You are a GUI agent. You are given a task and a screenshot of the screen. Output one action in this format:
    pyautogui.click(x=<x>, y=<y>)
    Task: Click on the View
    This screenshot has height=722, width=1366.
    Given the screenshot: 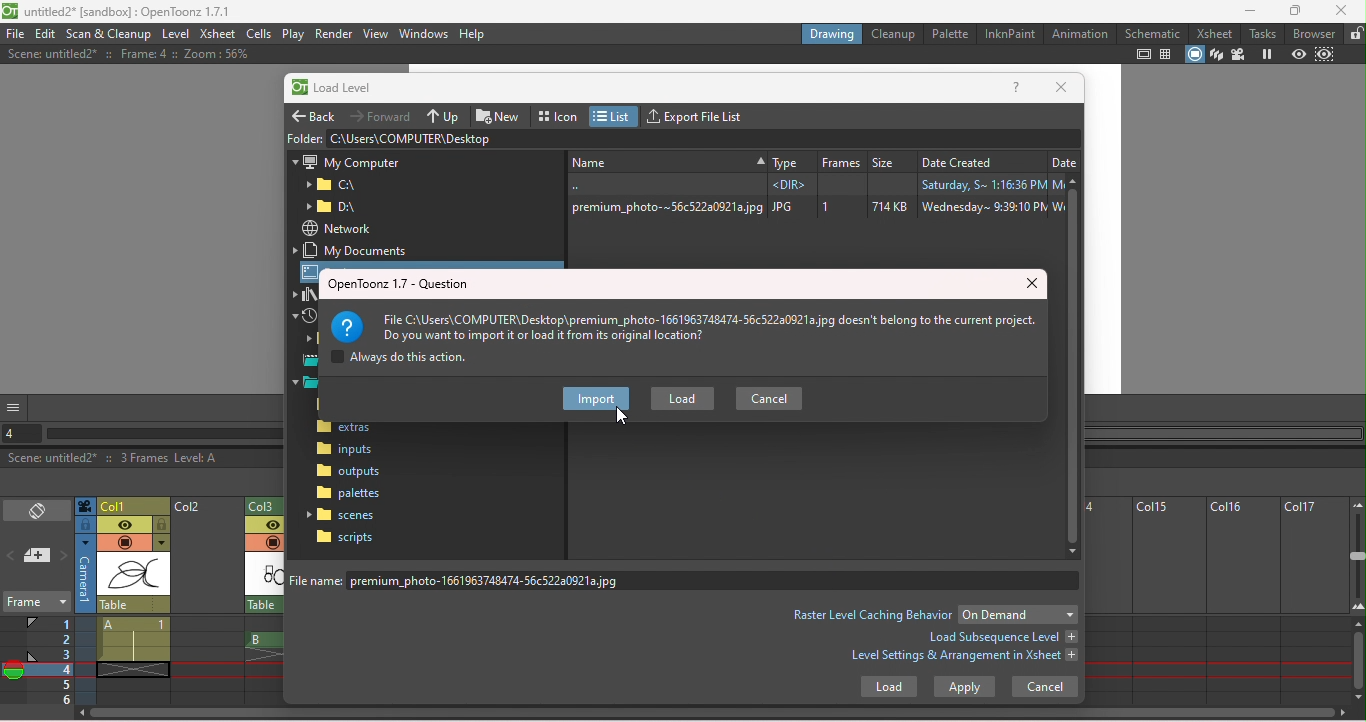 What is the action you would take?
    pyautogui.click(x=376, y=33)
    